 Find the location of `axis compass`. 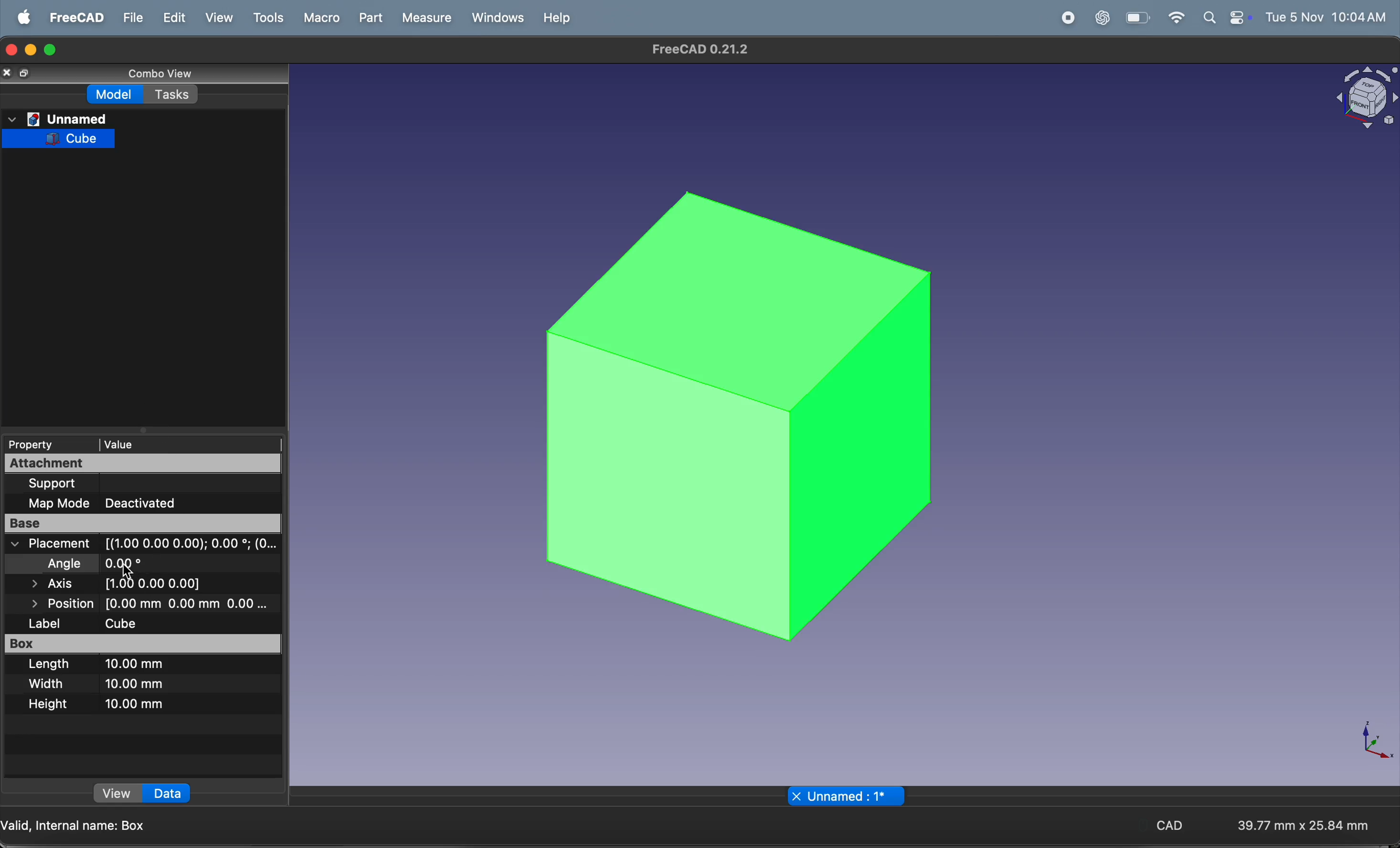

axis compass is located at coordinates (1377, 742).